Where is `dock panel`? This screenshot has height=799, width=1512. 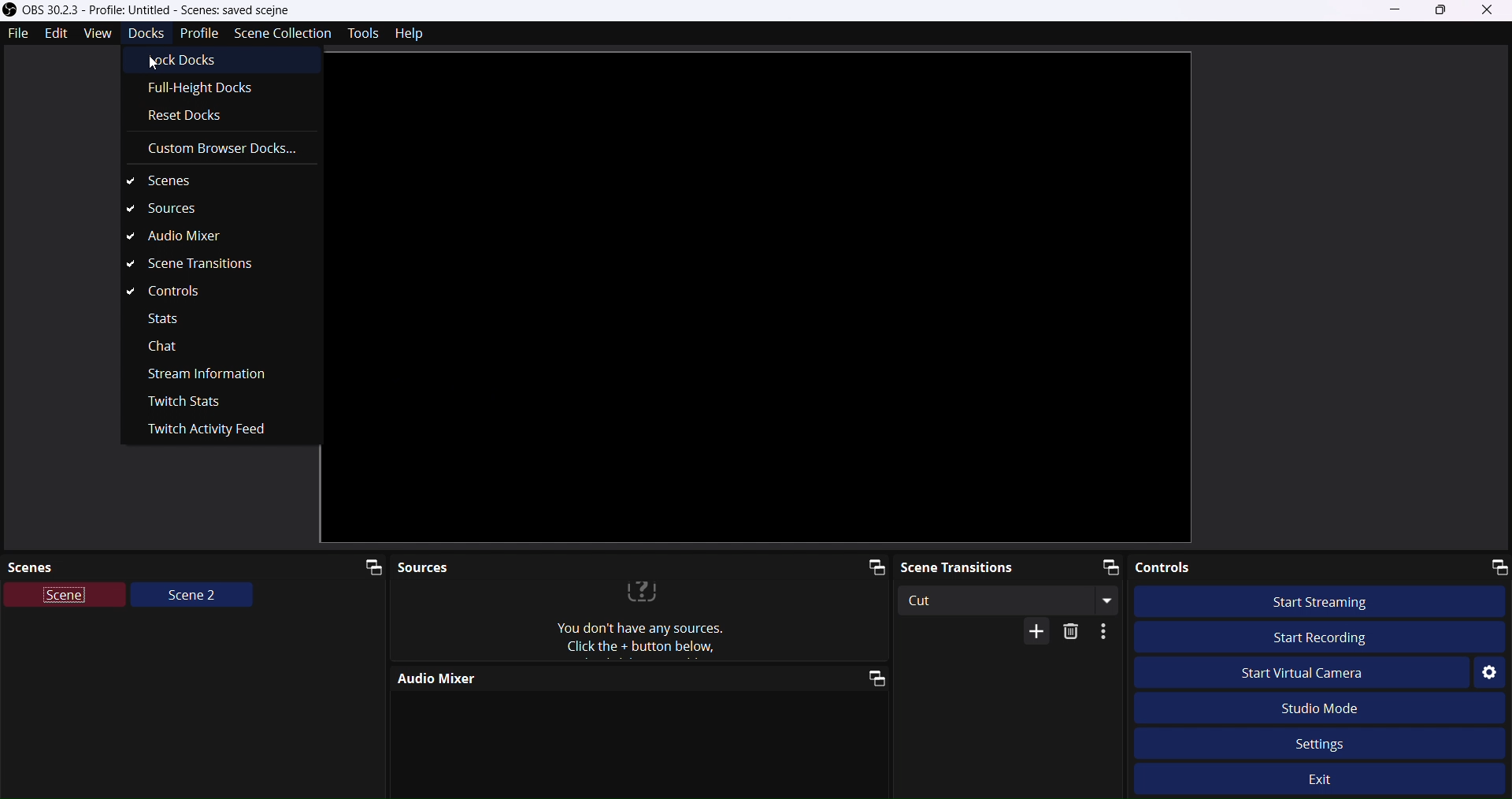 dock panel is located at coordinates (869, 568).